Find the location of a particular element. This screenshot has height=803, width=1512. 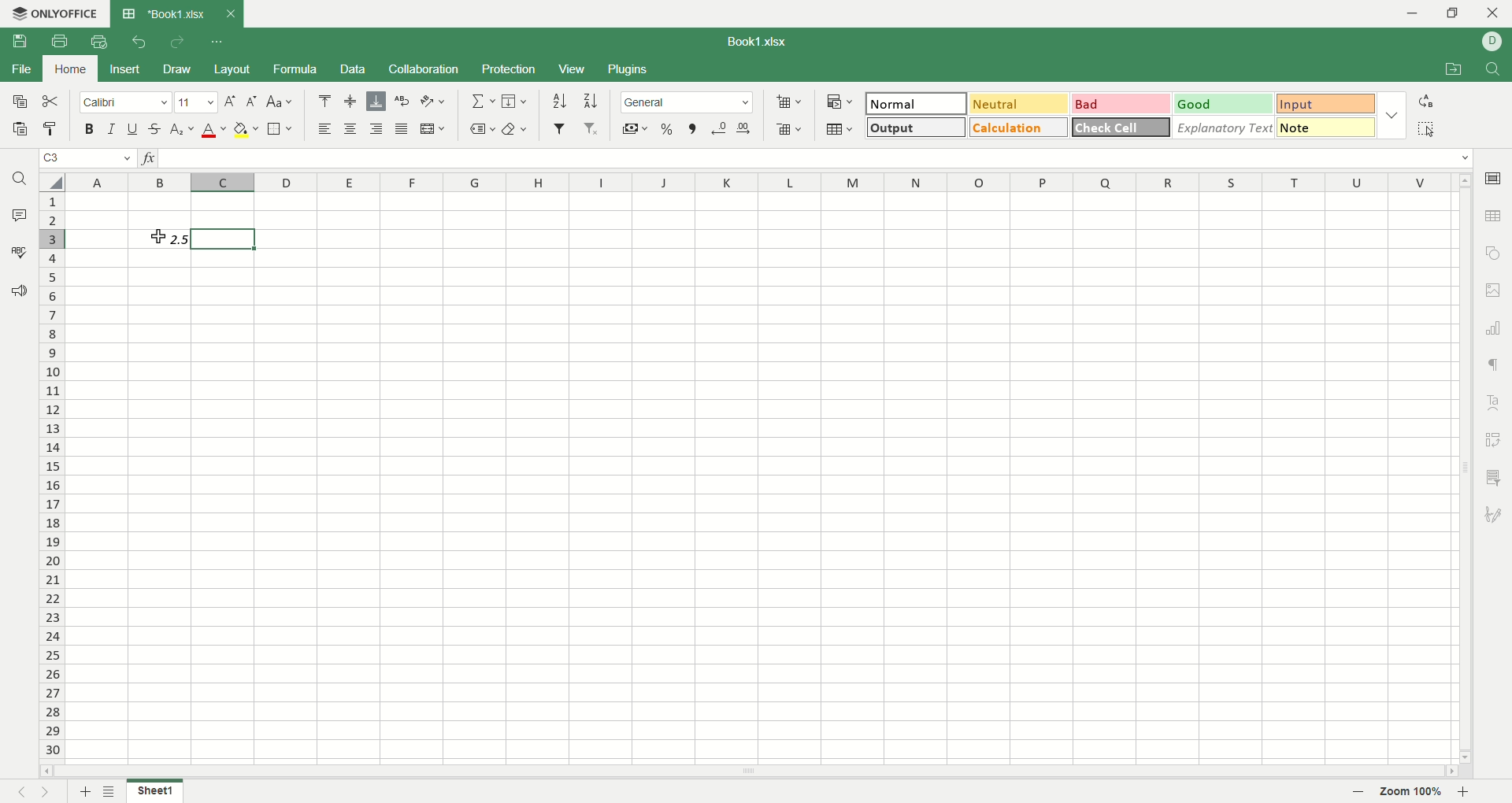

quick print is located at coordinates (98, 42).